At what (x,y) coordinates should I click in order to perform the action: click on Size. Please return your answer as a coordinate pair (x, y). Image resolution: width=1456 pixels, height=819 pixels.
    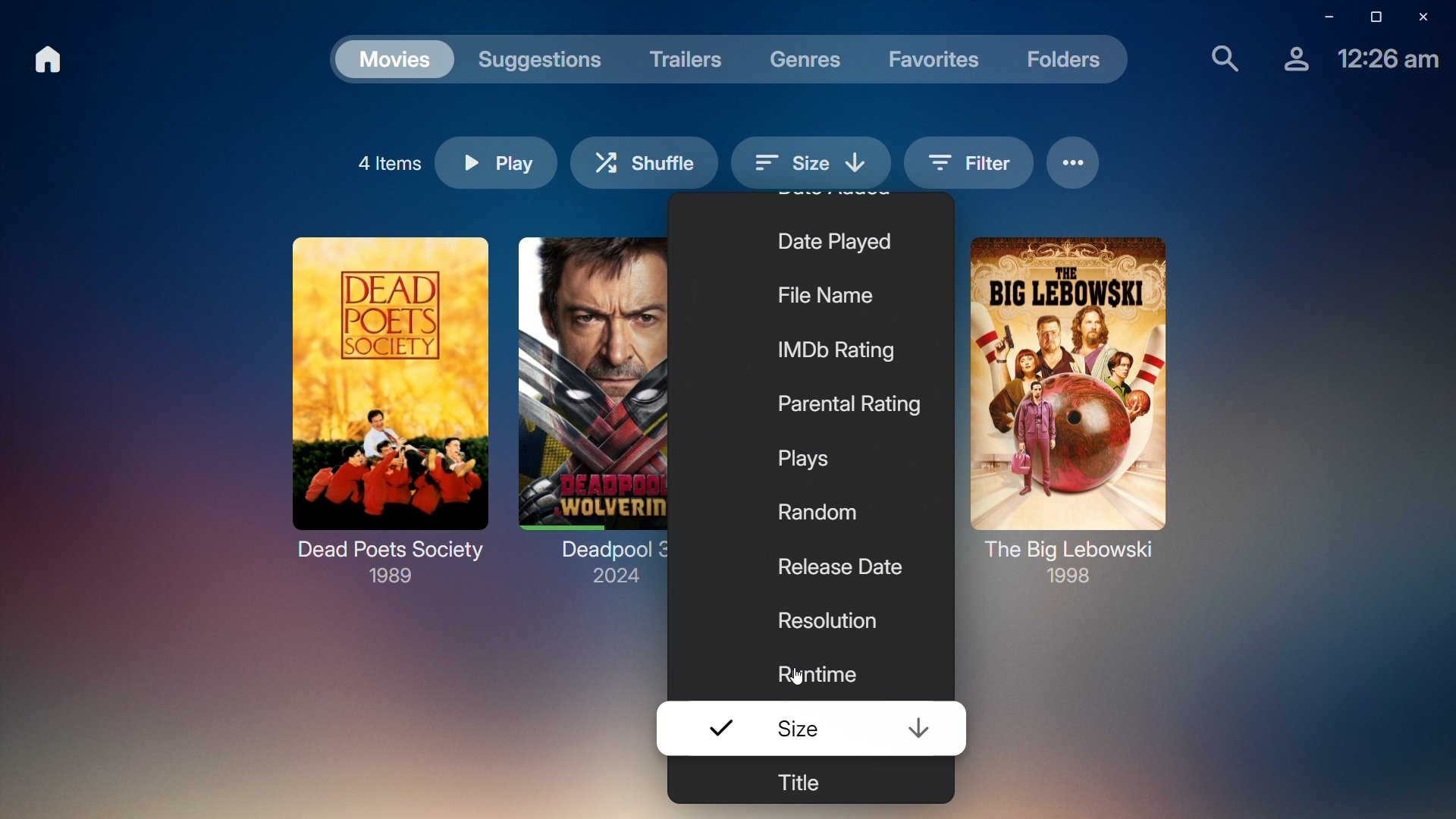
    Looking at the image, I should click on (799, 732).